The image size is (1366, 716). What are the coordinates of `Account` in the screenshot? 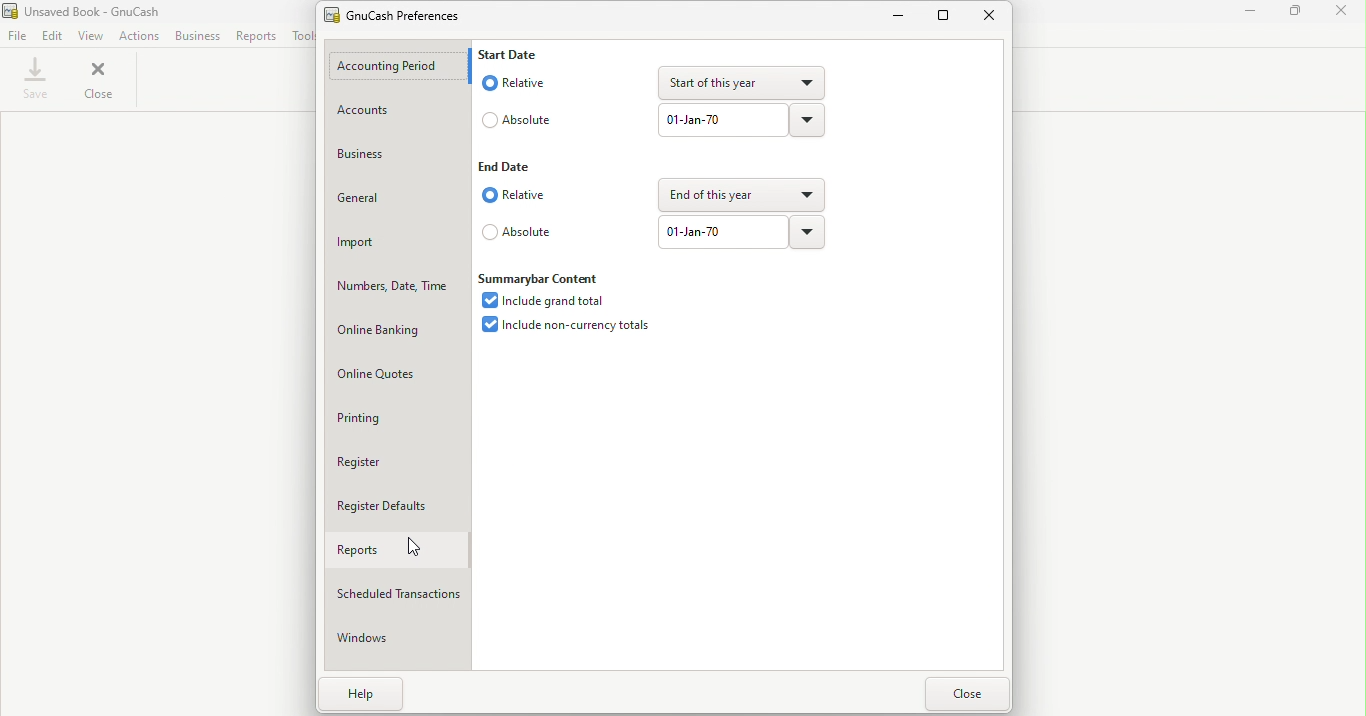 It's located at (398, 112).